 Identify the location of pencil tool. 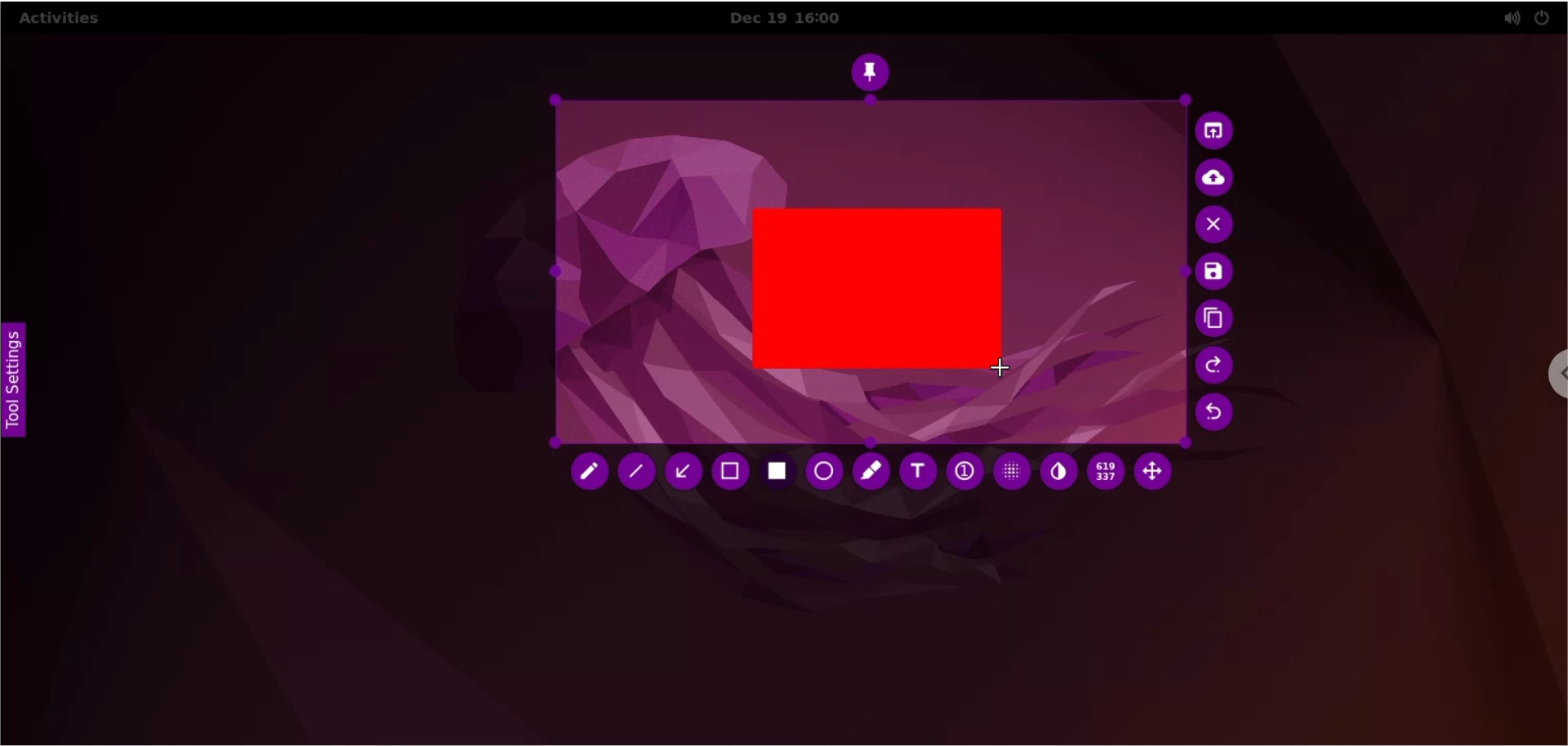
(589, 475).